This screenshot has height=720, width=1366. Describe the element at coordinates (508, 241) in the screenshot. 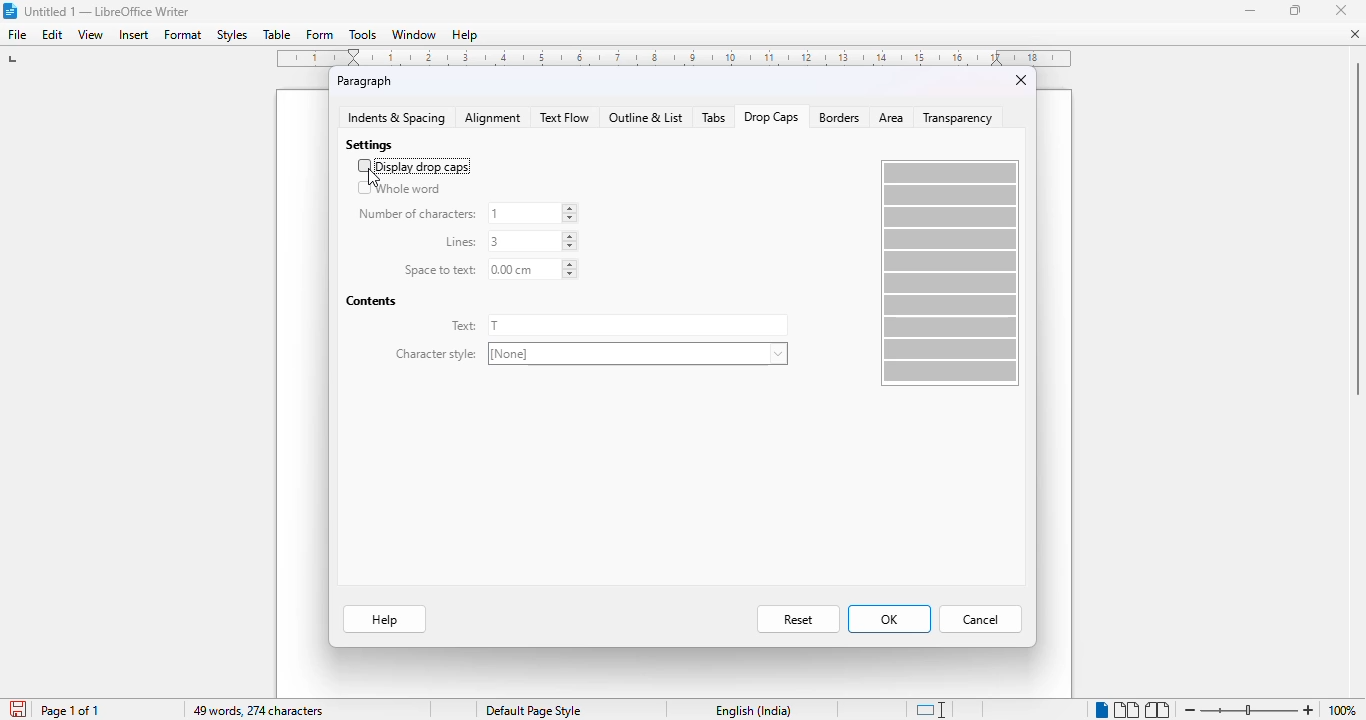

I see `lines: 3` at that location.